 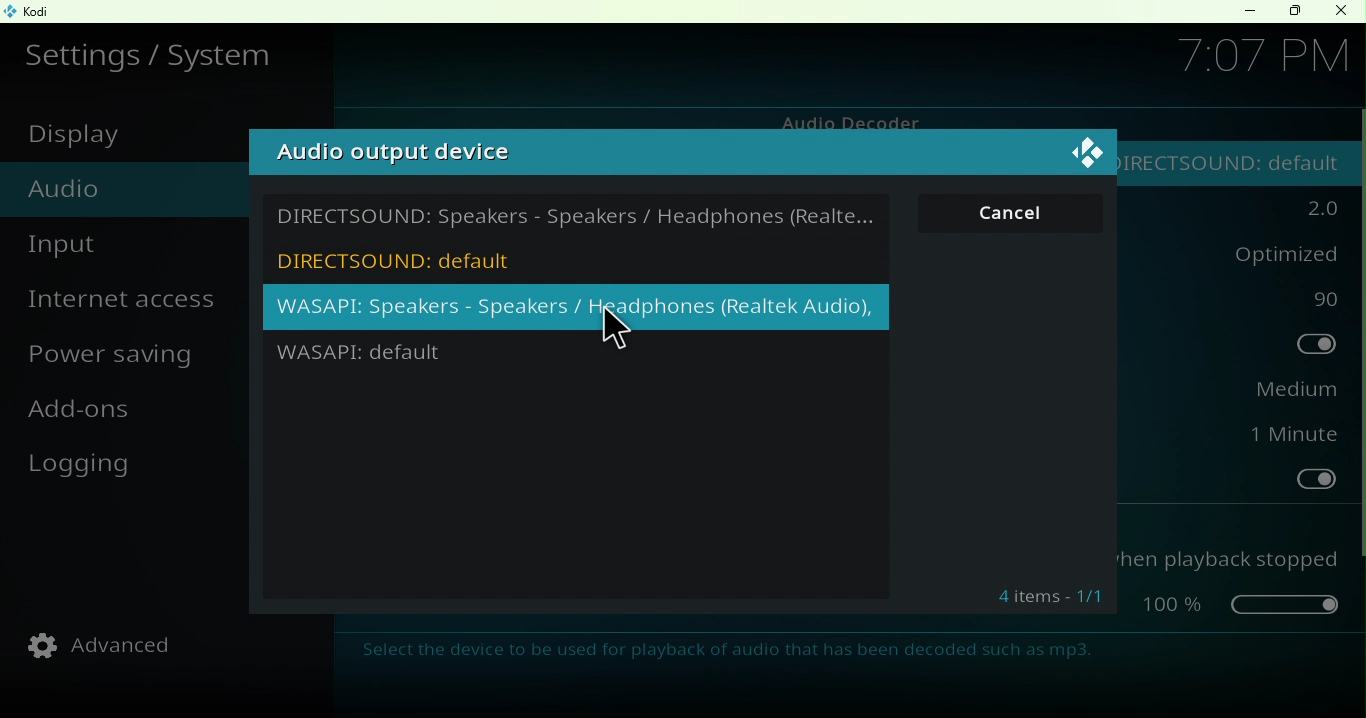 I want to click on optimized, so click(x=1284, y=255).